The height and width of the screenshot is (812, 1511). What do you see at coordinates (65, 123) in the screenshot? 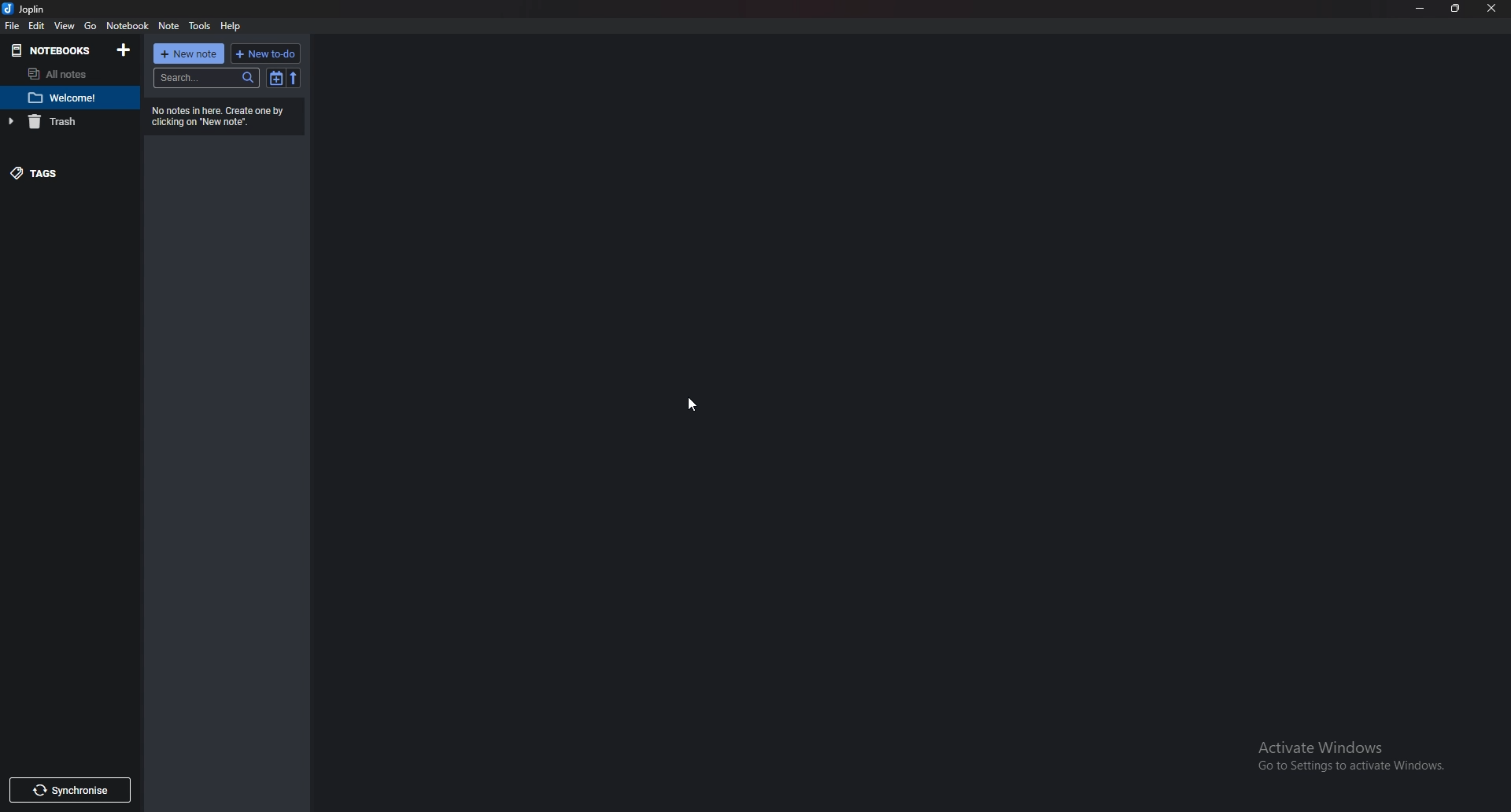
I see `trash` at bounding box center [65, 123].